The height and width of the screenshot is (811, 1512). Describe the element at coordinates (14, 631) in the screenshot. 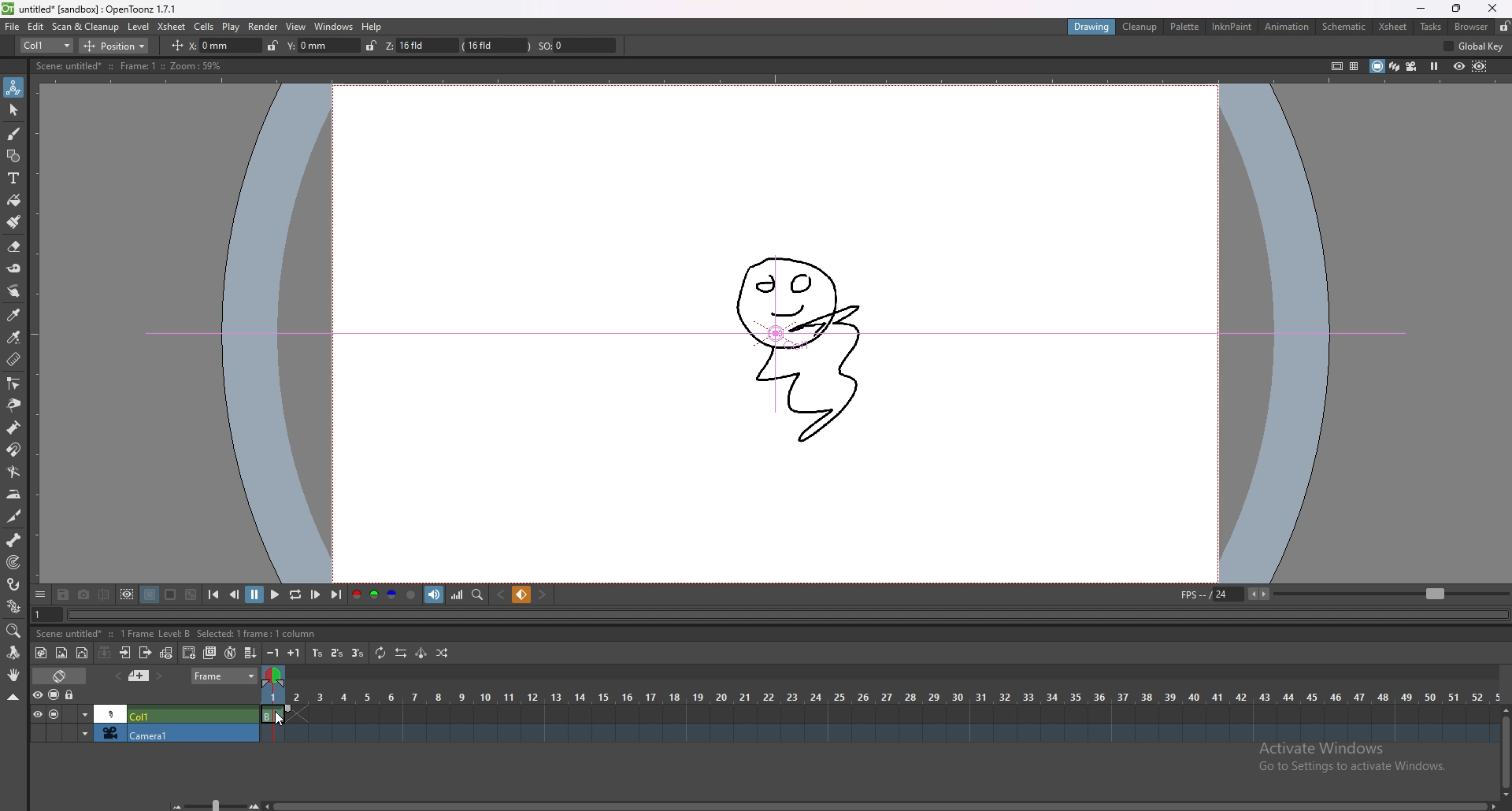

I see `zoom` at that location.